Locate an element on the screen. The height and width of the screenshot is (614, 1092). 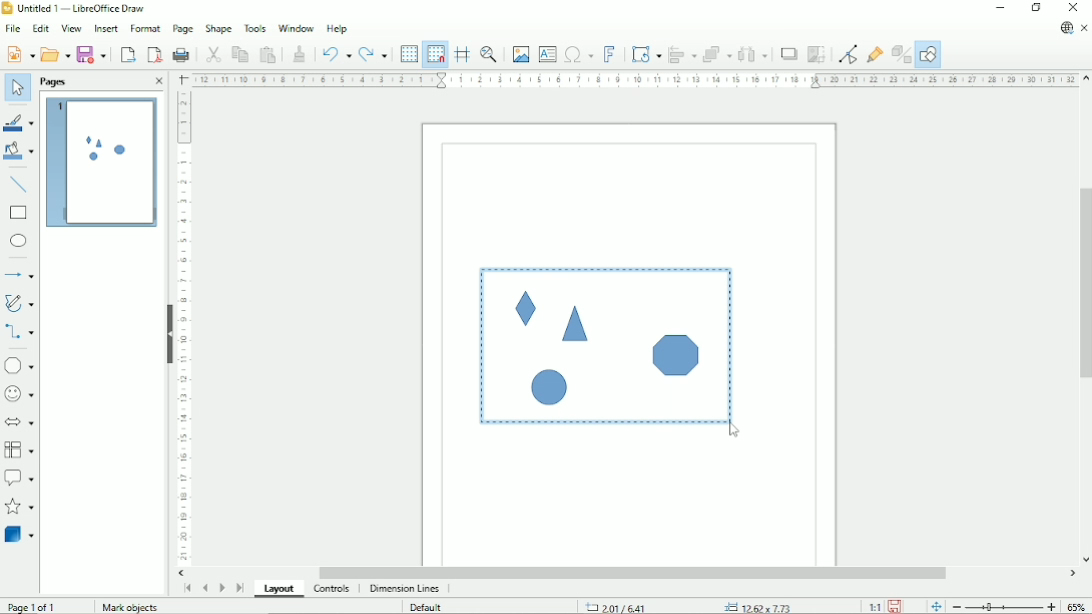
Close is located at coordinates (156, 81).